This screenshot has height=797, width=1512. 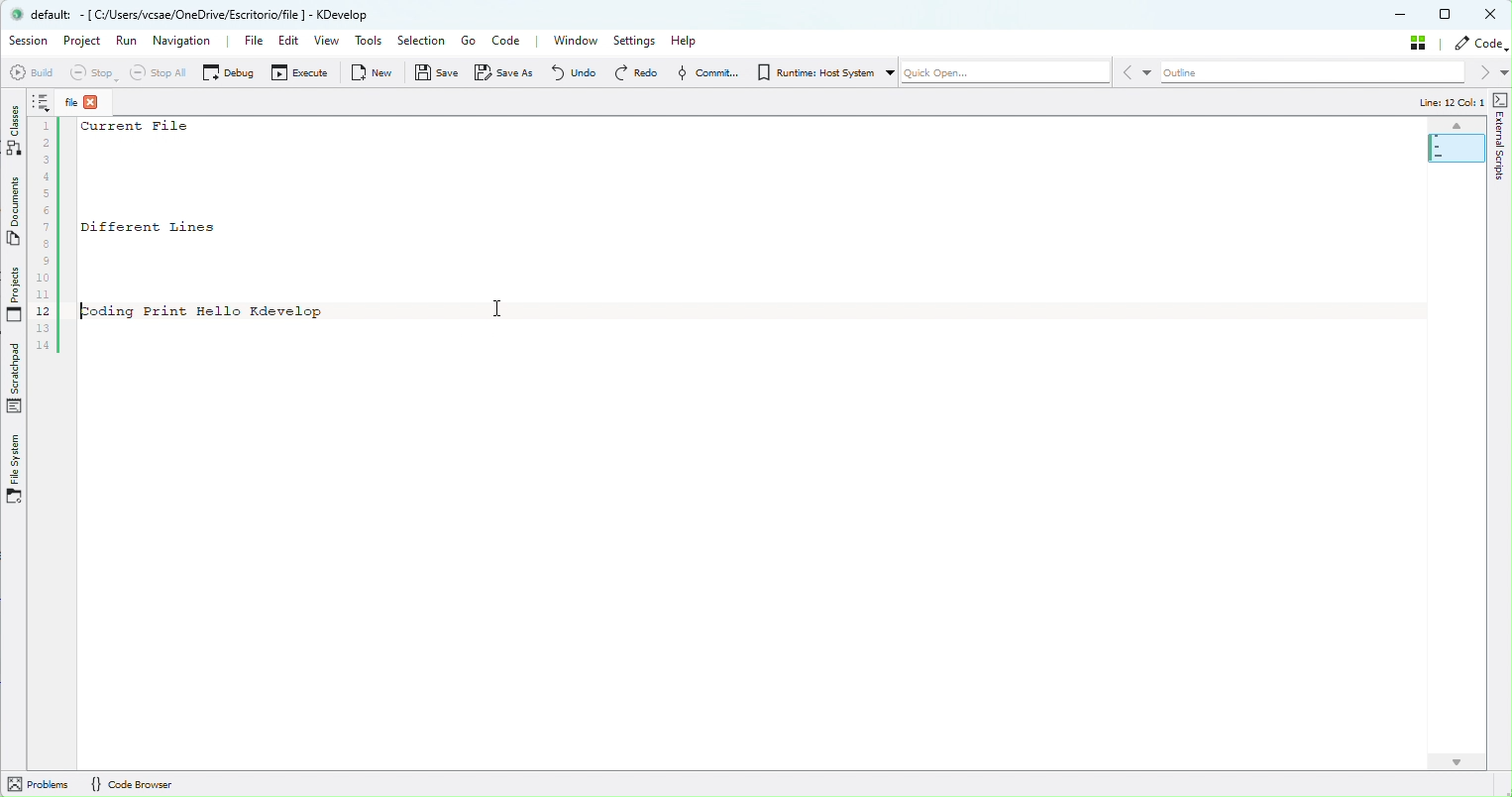 What do you see at coordinates (289, 42) in the screenshot?
I see `Edit` at bounding box center [289, 42].